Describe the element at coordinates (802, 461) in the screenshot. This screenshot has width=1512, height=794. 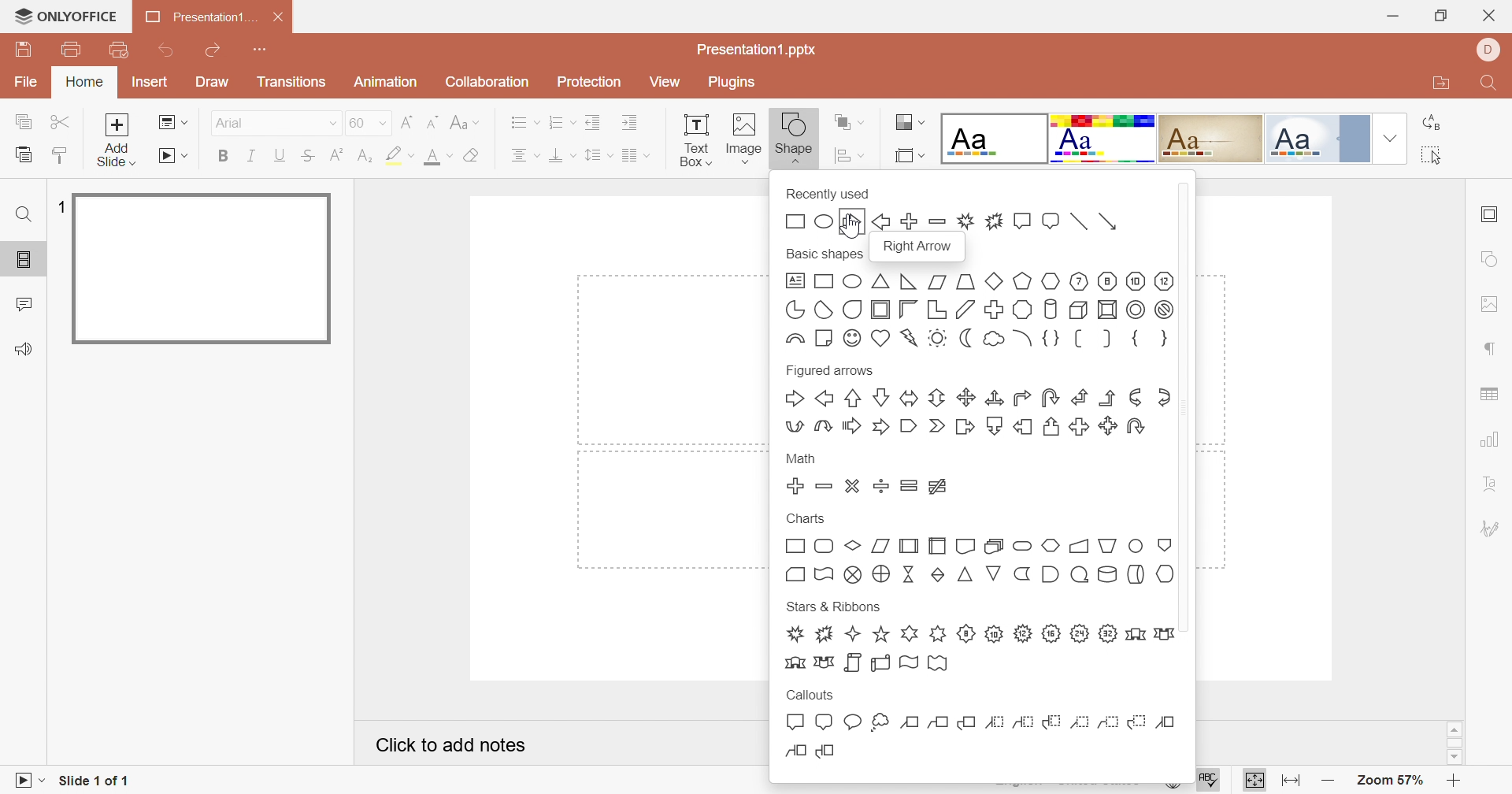
I see `math` at that location.